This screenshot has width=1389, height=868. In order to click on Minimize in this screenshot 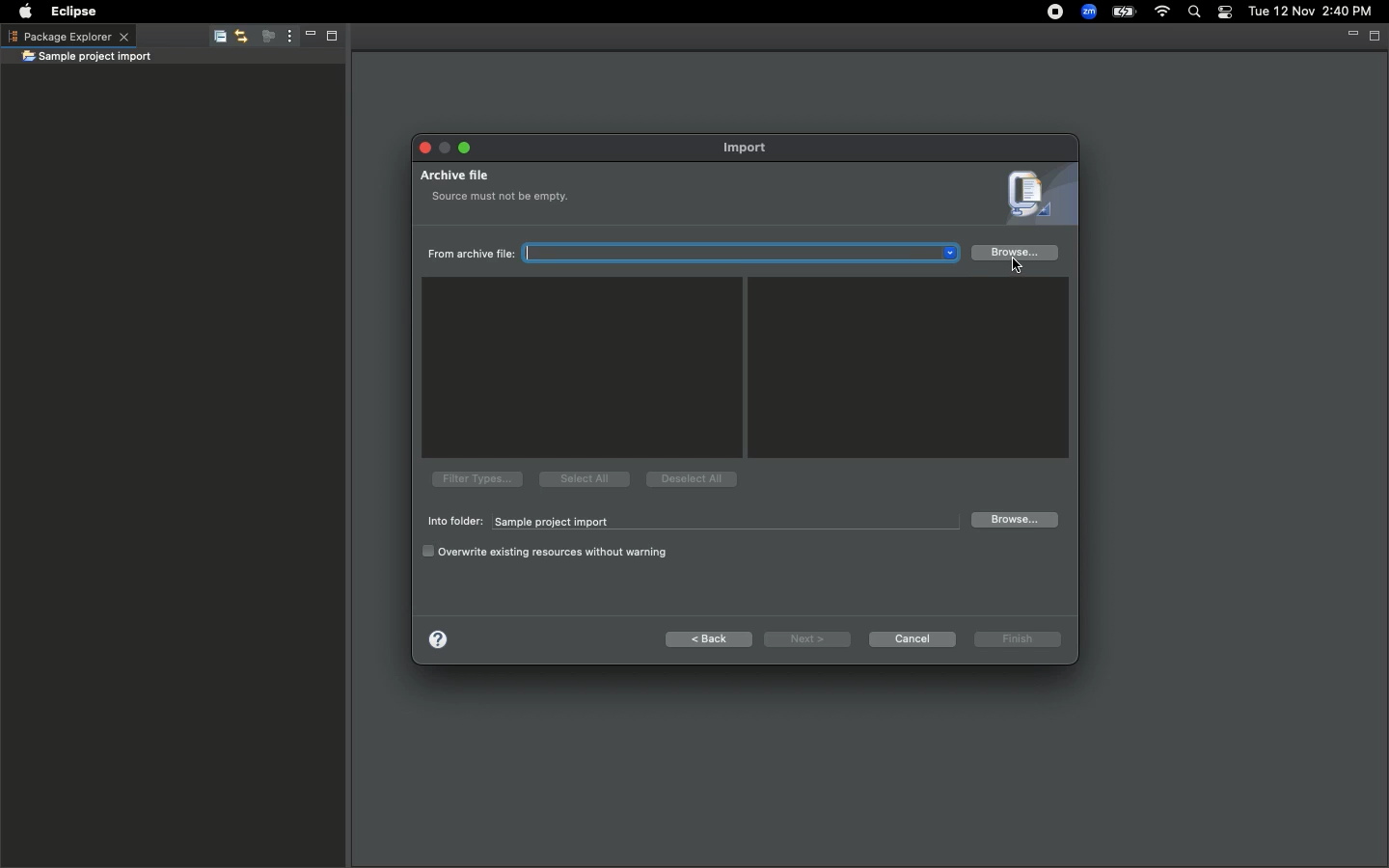, I will do `click(446, 148)`.